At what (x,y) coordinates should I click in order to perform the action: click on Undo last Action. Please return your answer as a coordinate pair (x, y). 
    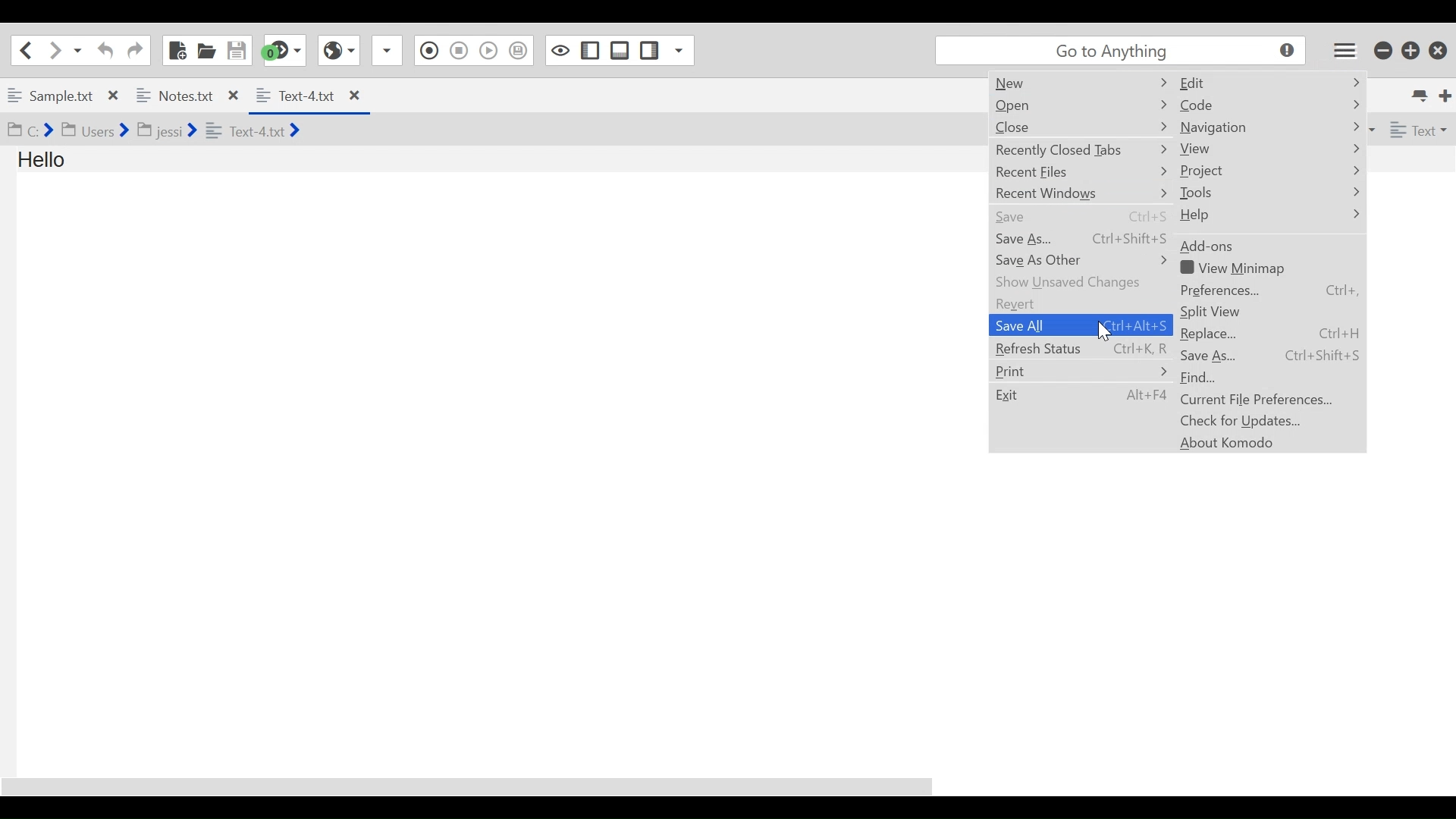
    Looking at the image, I should click on (104, 50).